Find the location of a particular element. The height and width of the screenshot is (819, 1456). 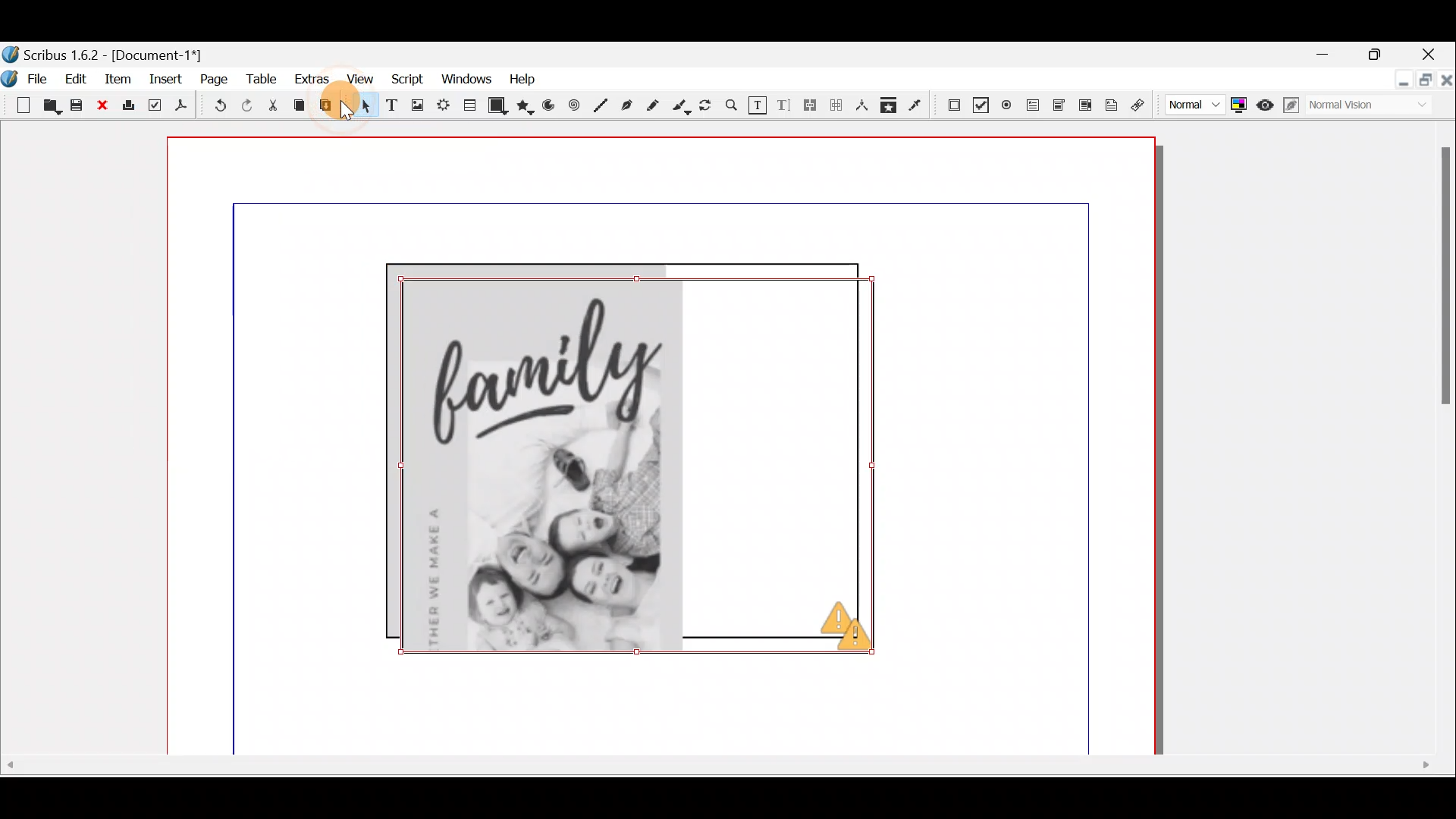

Maximise is located at coordinates (1423, 83).